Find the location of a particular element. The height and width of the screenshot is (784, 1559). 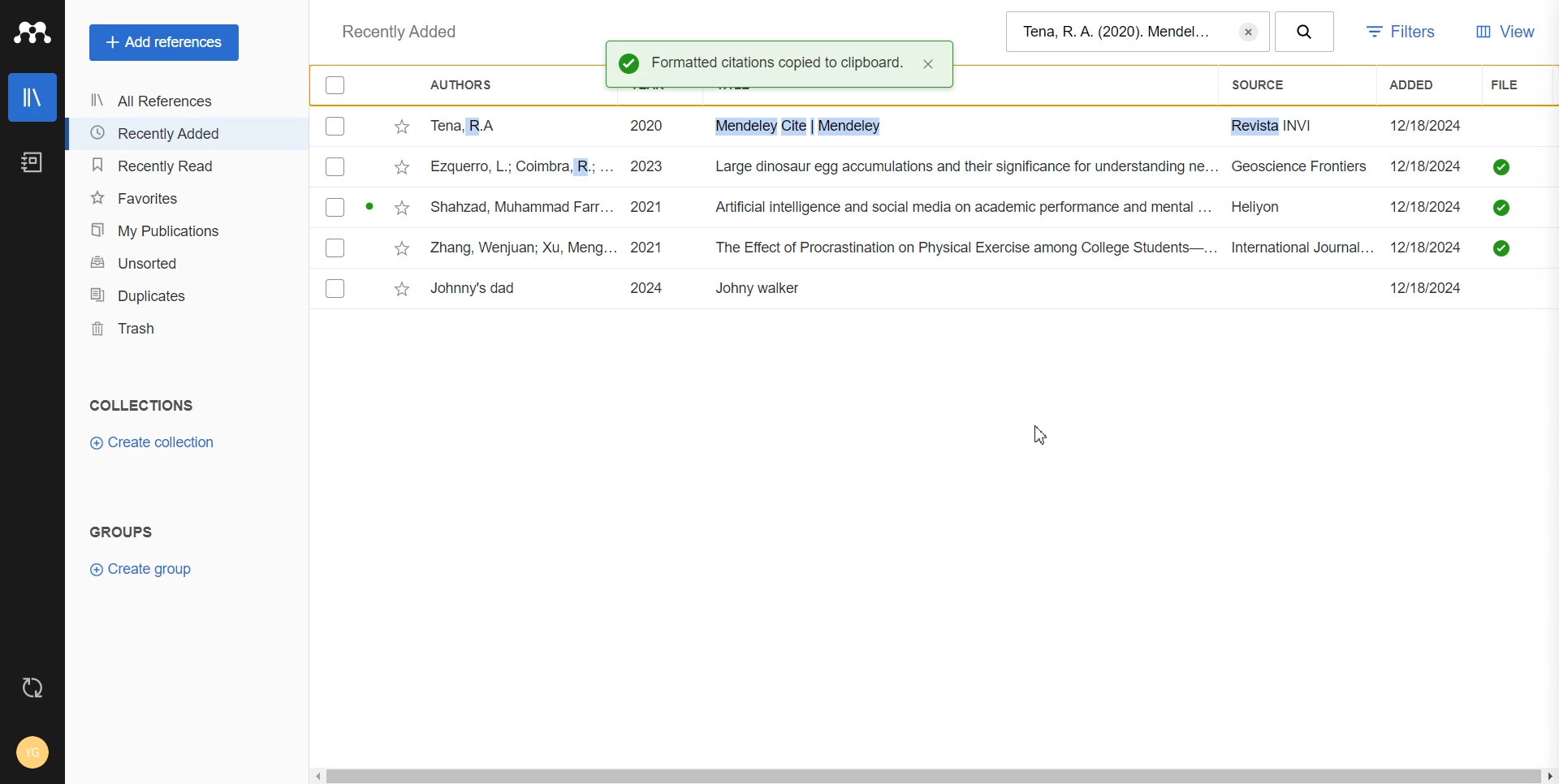

Trash is located at coordinates (188, 328).